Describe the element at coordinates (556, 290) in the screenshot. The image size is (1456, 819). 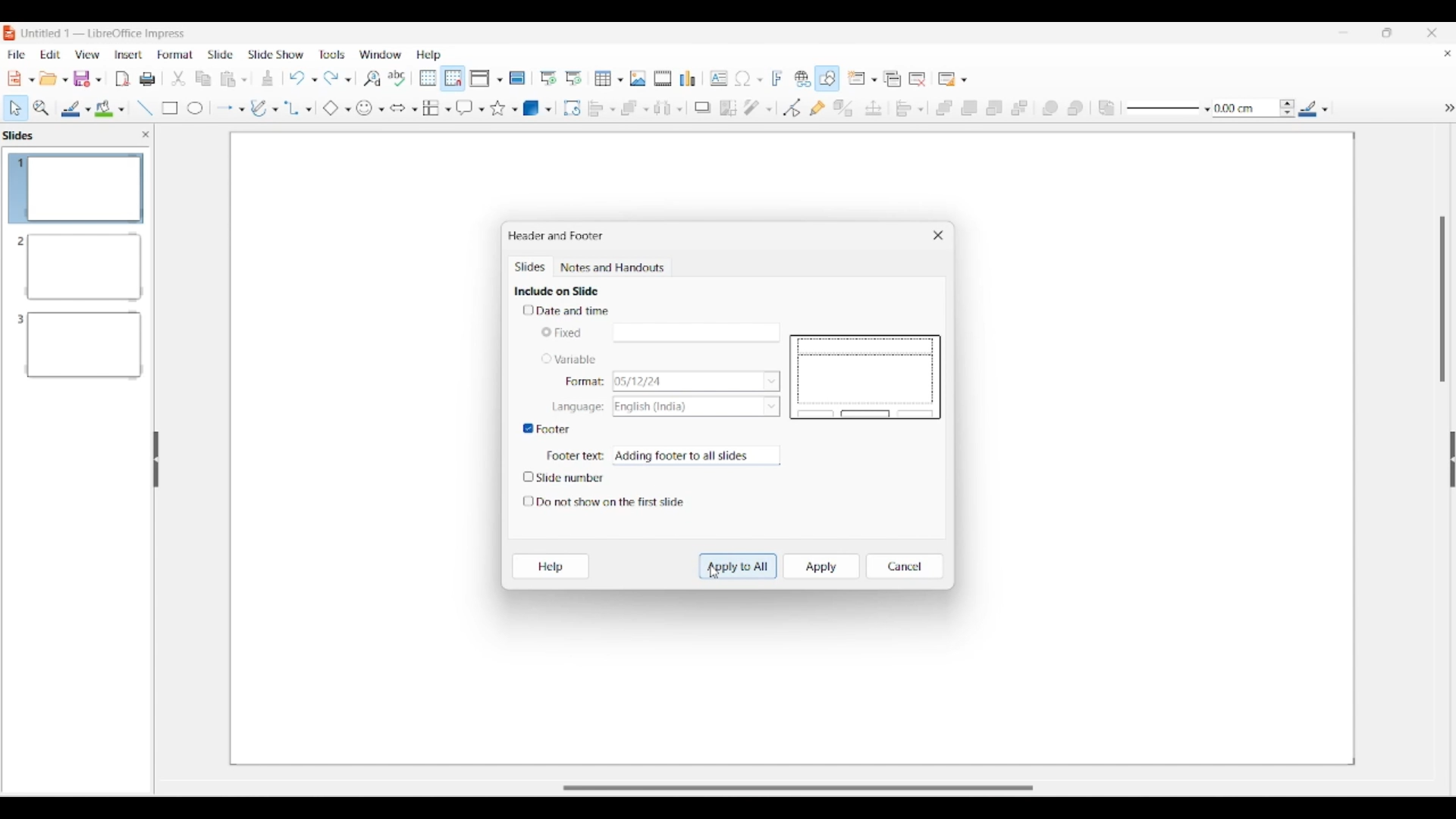
I see `Section title` at that location.